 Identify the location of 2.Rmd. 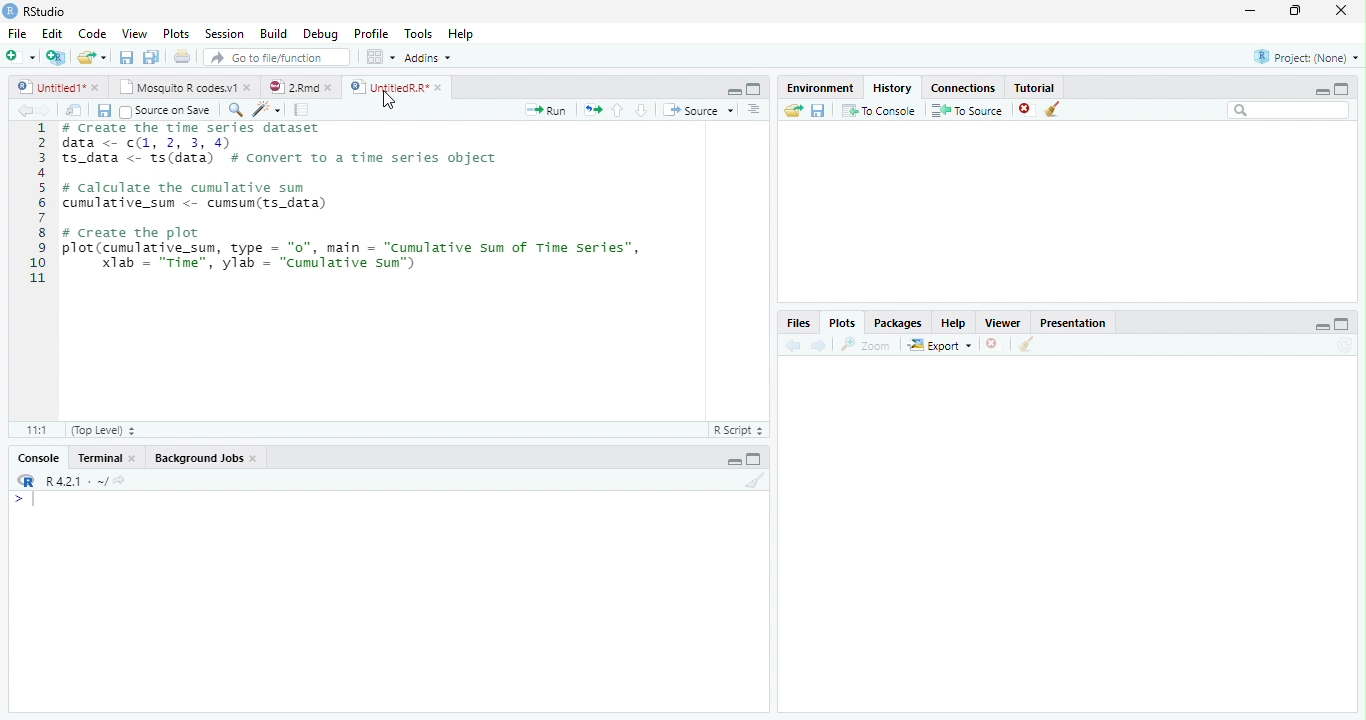
(303, 88).